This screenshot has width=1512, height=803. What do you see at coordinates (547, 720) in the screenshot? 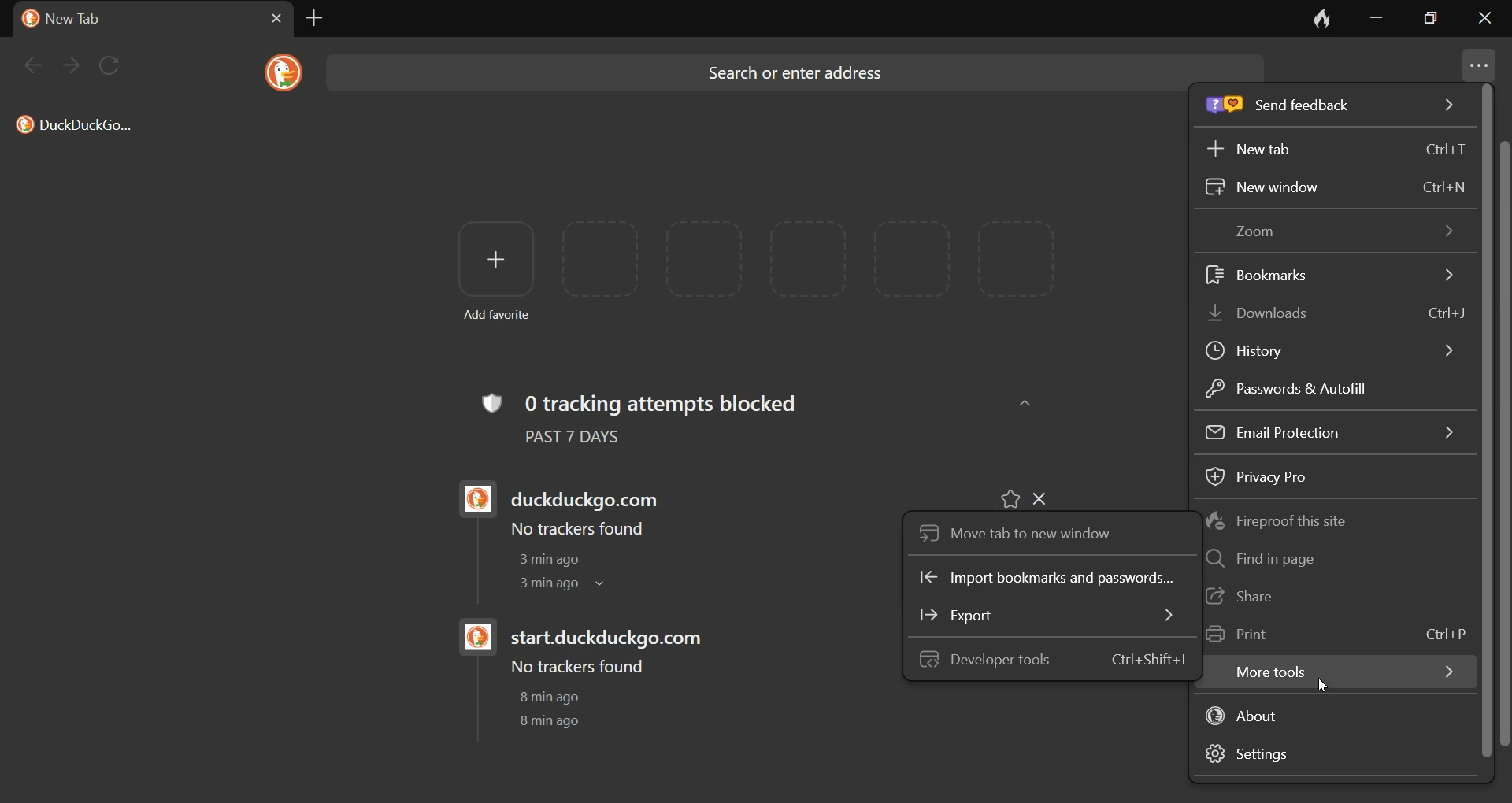
I see `8 min ago` at bounding box center [547, 720].